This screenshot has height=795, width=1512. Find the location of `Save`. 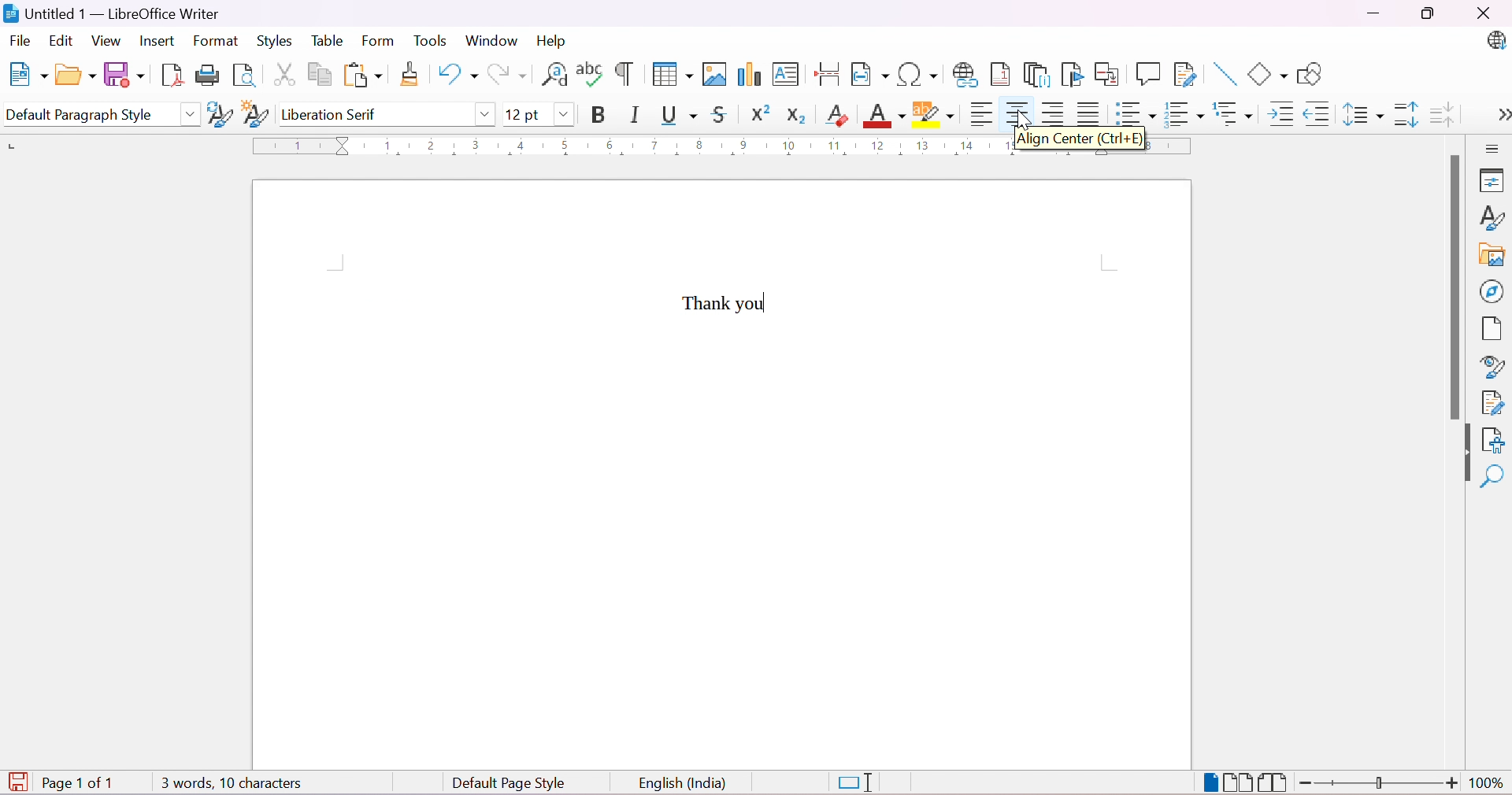

Save is located at coordinates (124, 74).